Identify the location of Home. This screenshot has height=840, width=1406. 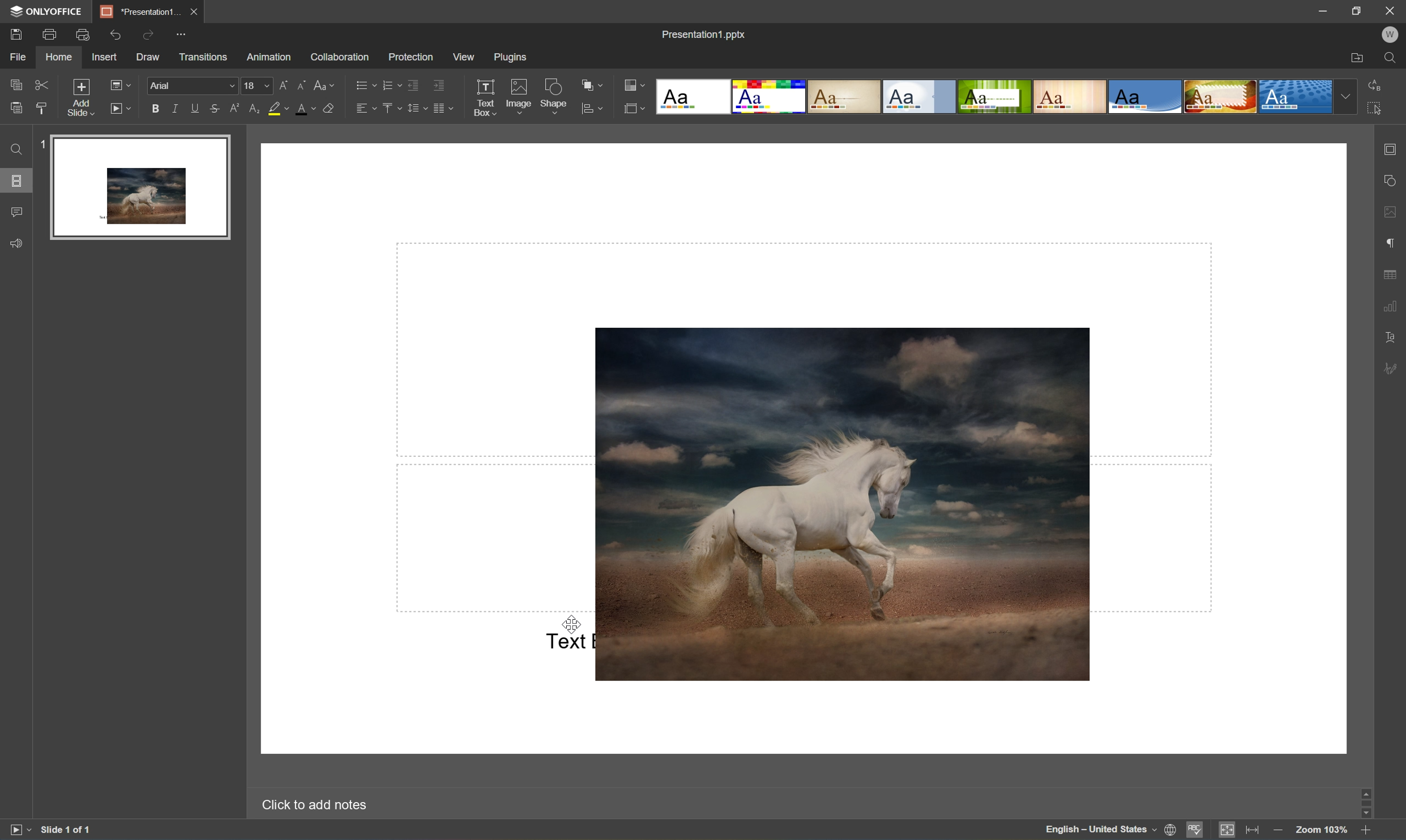
(60, 58).